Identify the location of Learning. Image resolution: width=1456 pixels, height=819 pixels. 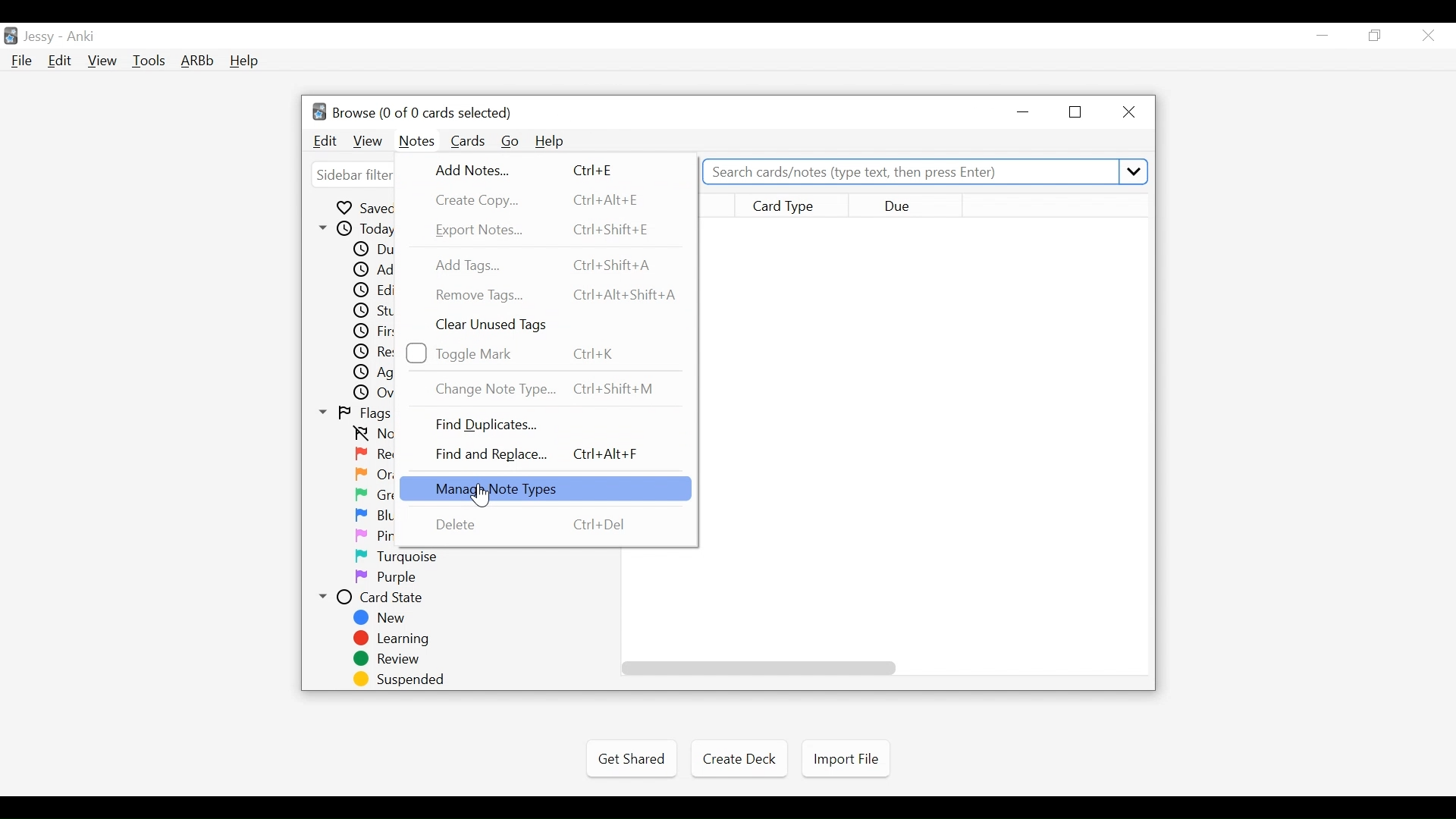
(397, 639).